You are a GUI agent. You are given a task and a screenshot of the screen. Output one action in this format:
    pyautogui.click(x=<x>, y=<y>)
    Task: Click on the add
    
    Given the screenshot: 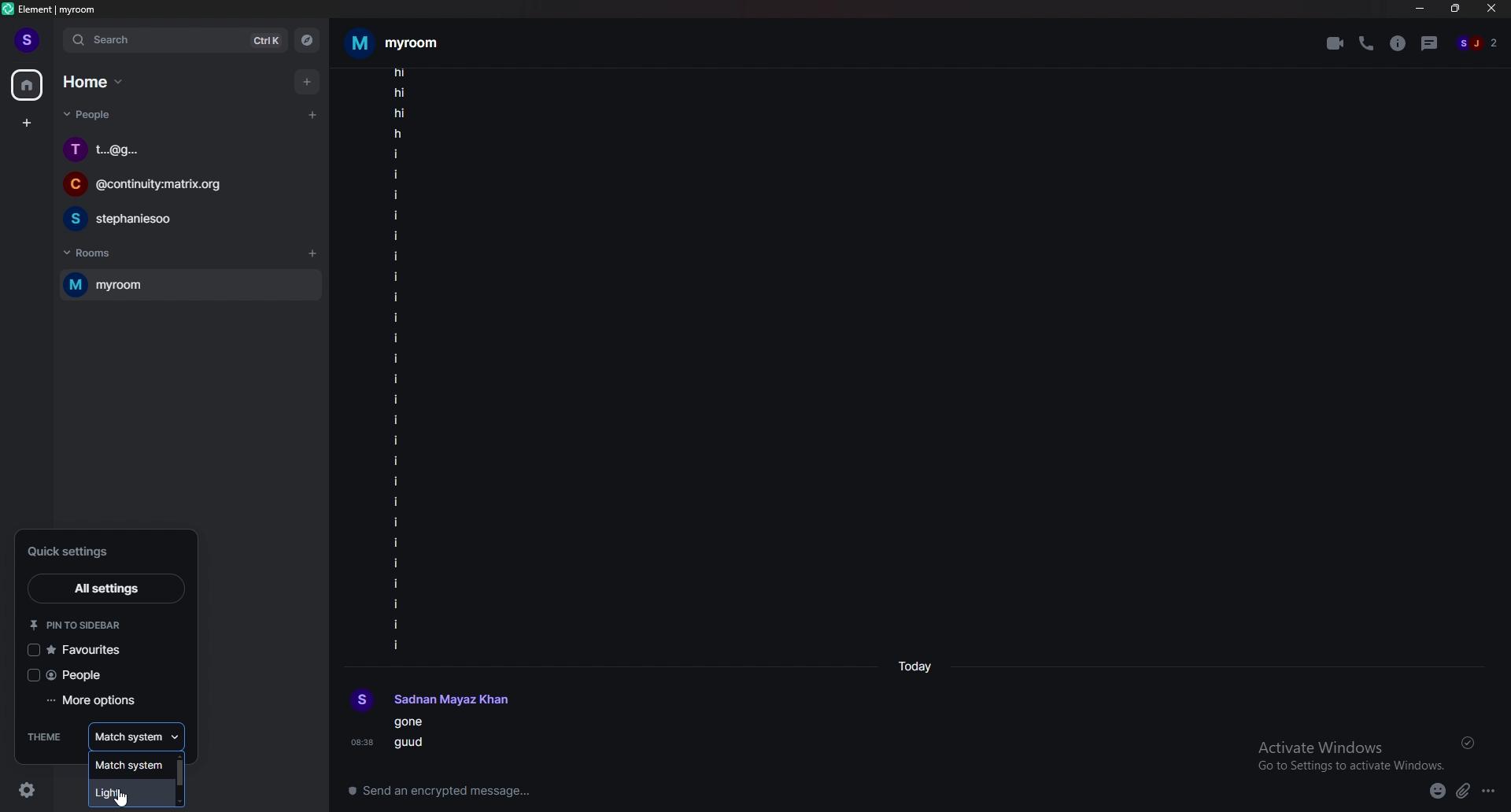 What is the action you would take?
    pyautogui.click(x=308, y=81)
    